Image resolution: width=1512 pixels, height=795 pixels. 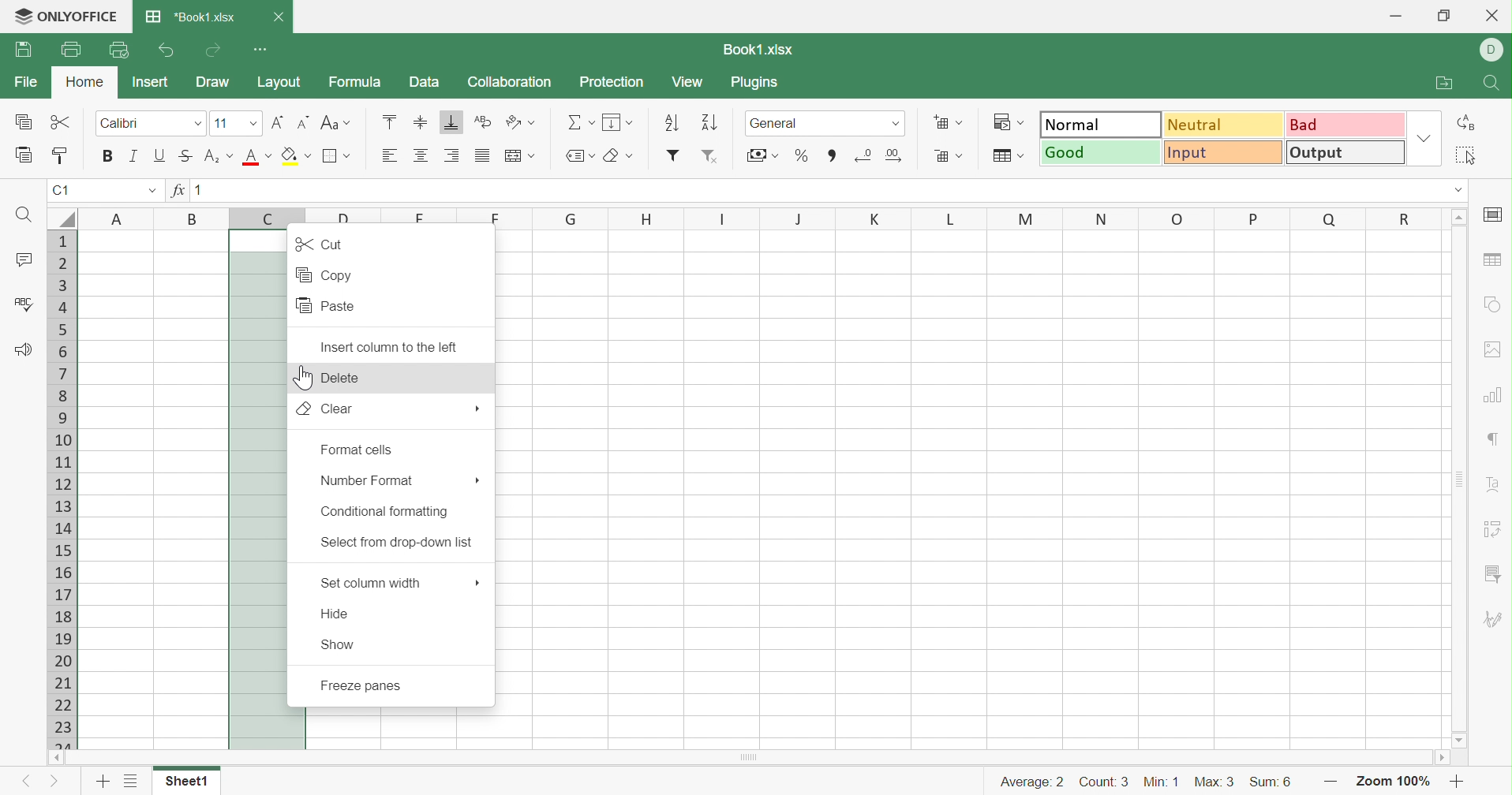 I want to click on Select from drop-down list, so click(x=400, y=543).